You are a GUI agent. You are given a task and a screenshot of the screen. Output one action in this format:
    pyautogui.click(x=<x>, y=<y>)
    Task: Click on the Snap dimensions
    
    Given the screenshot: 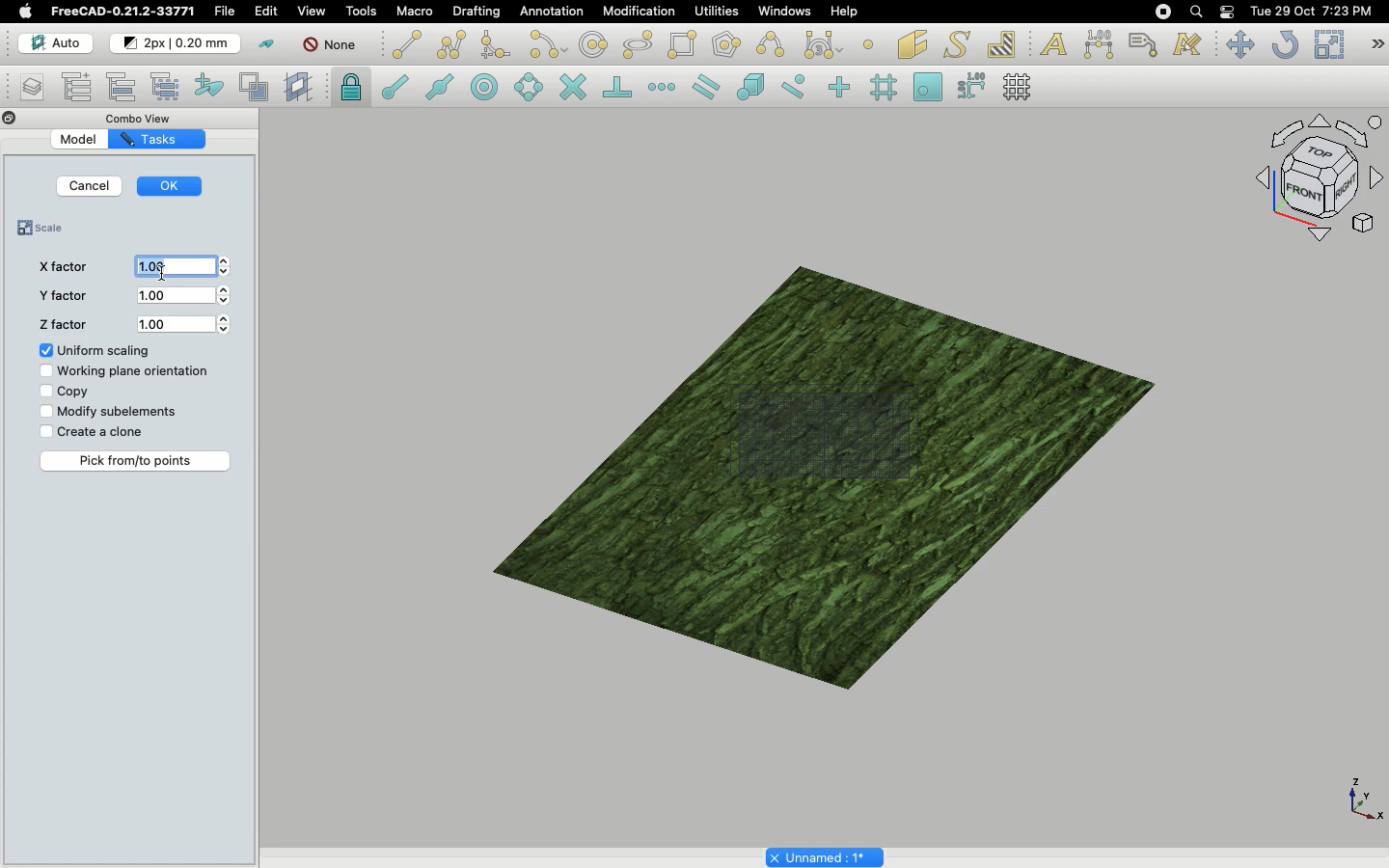 What is the action you would take?
    pyautogui.click(x=968, y=86)
    